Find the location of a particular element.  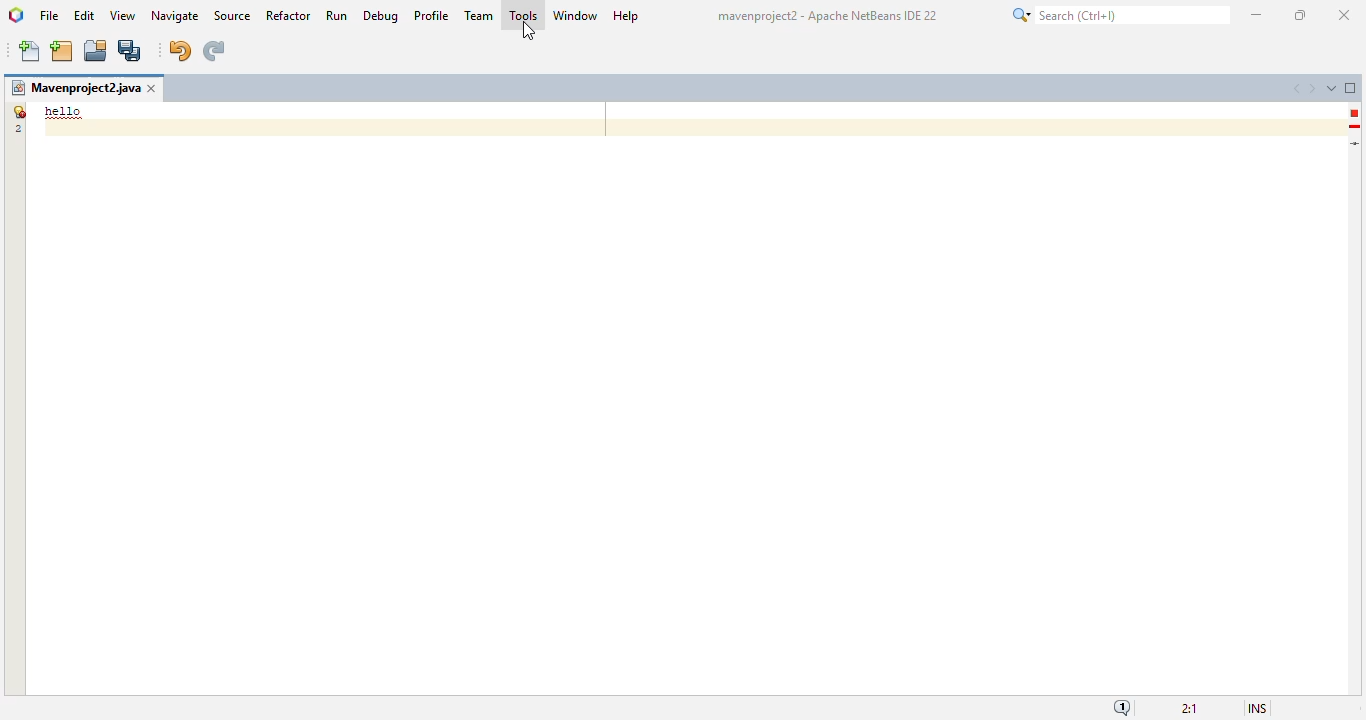

help is located at coordinates (627, 17).